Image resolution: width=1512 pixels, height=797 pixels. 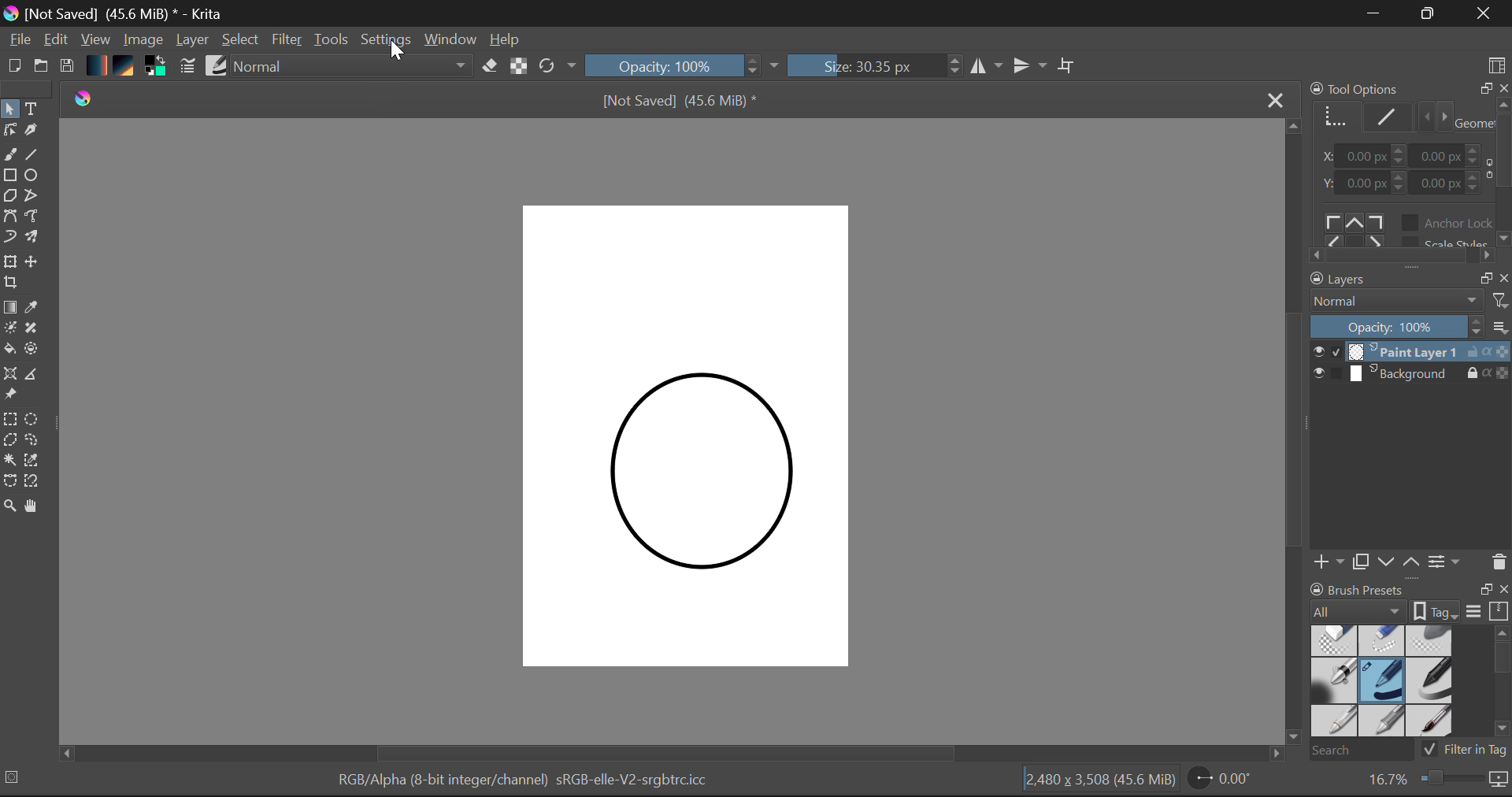 I want to click on Refresh, so click(x=556, y=68).